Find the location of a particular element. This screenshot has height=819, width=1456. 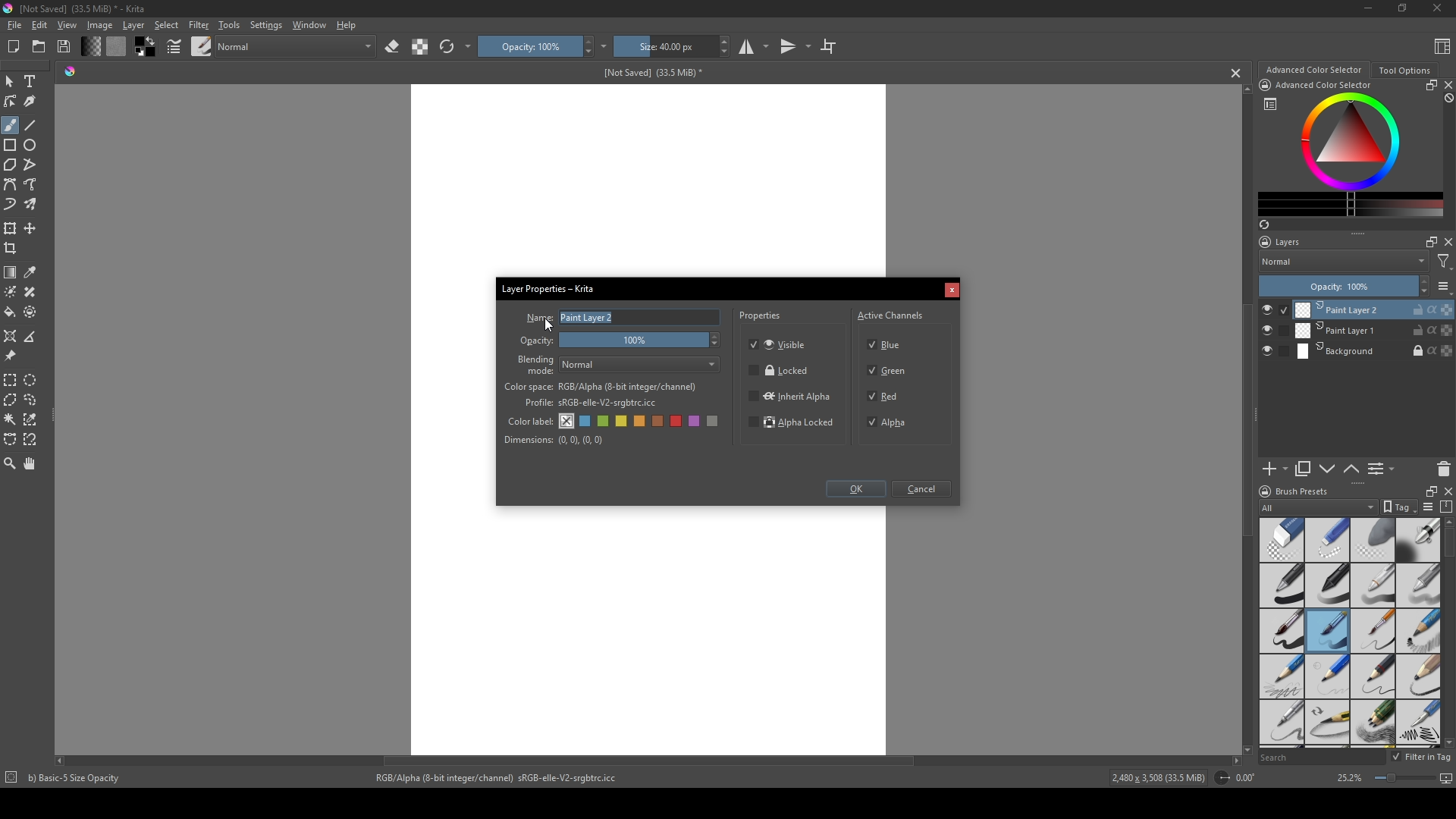

shade is located at coordinates (70, 71).